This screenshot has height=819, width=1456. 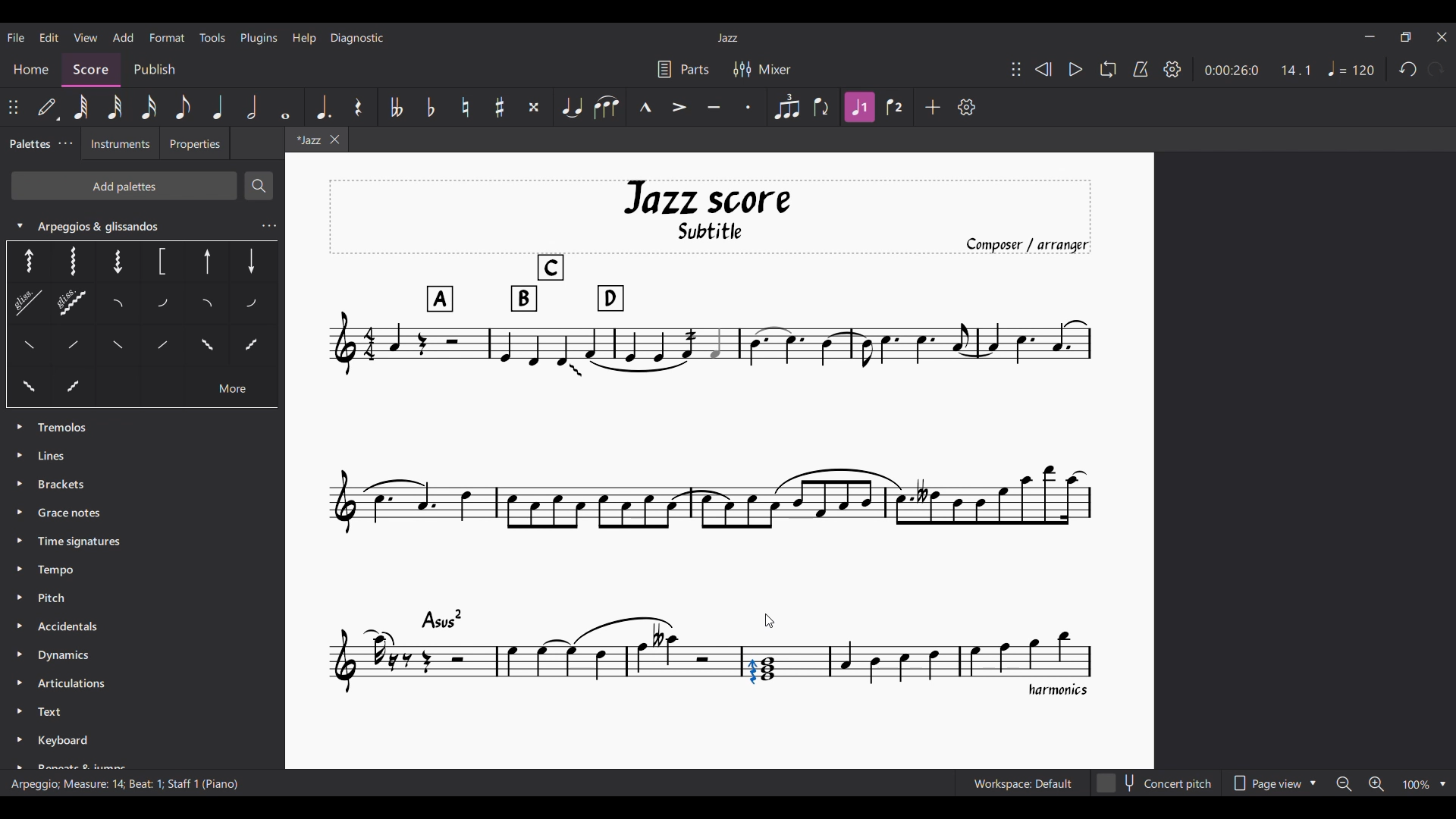 I want to click on Indicates addition, so click(x=777, y=632).